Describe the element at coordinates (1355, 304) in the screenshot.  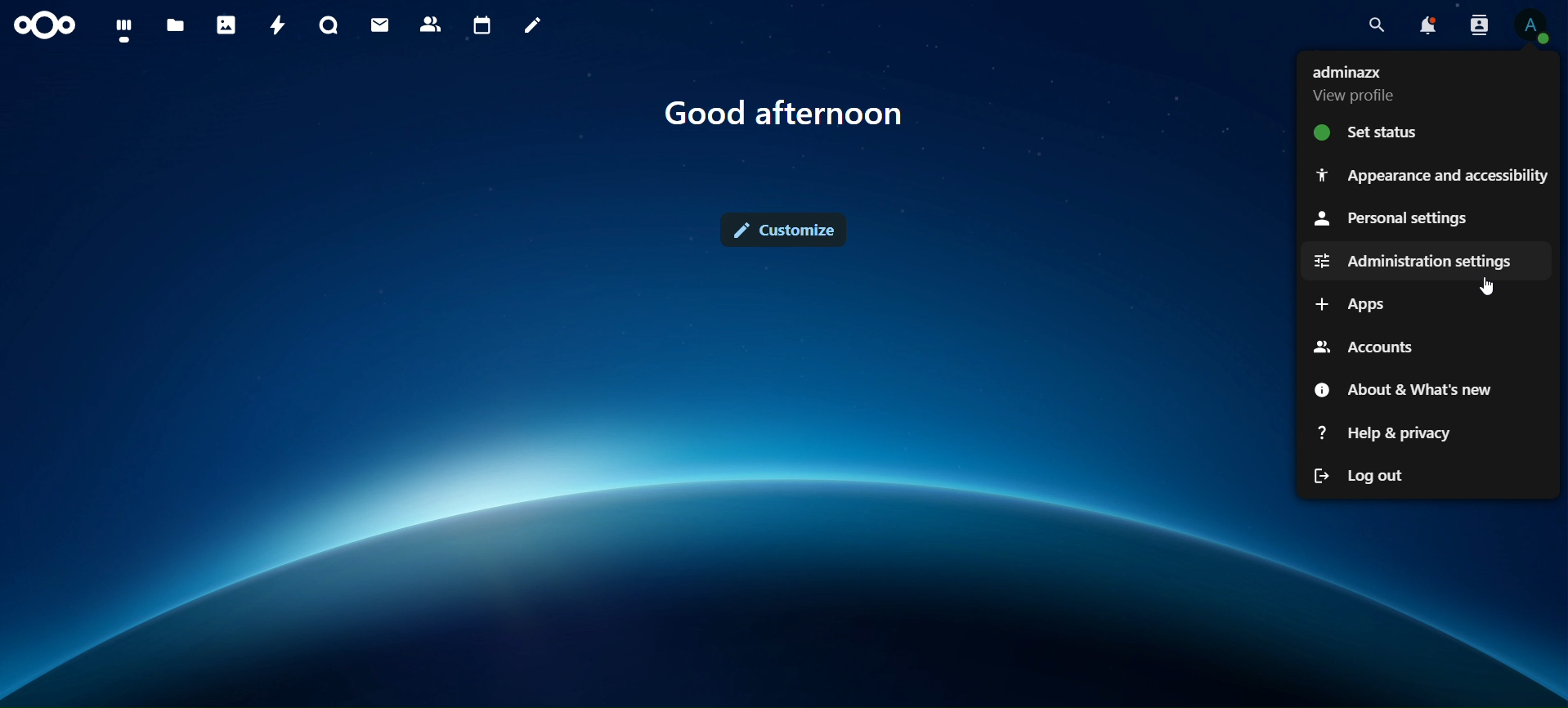
I see `apps` at that location.